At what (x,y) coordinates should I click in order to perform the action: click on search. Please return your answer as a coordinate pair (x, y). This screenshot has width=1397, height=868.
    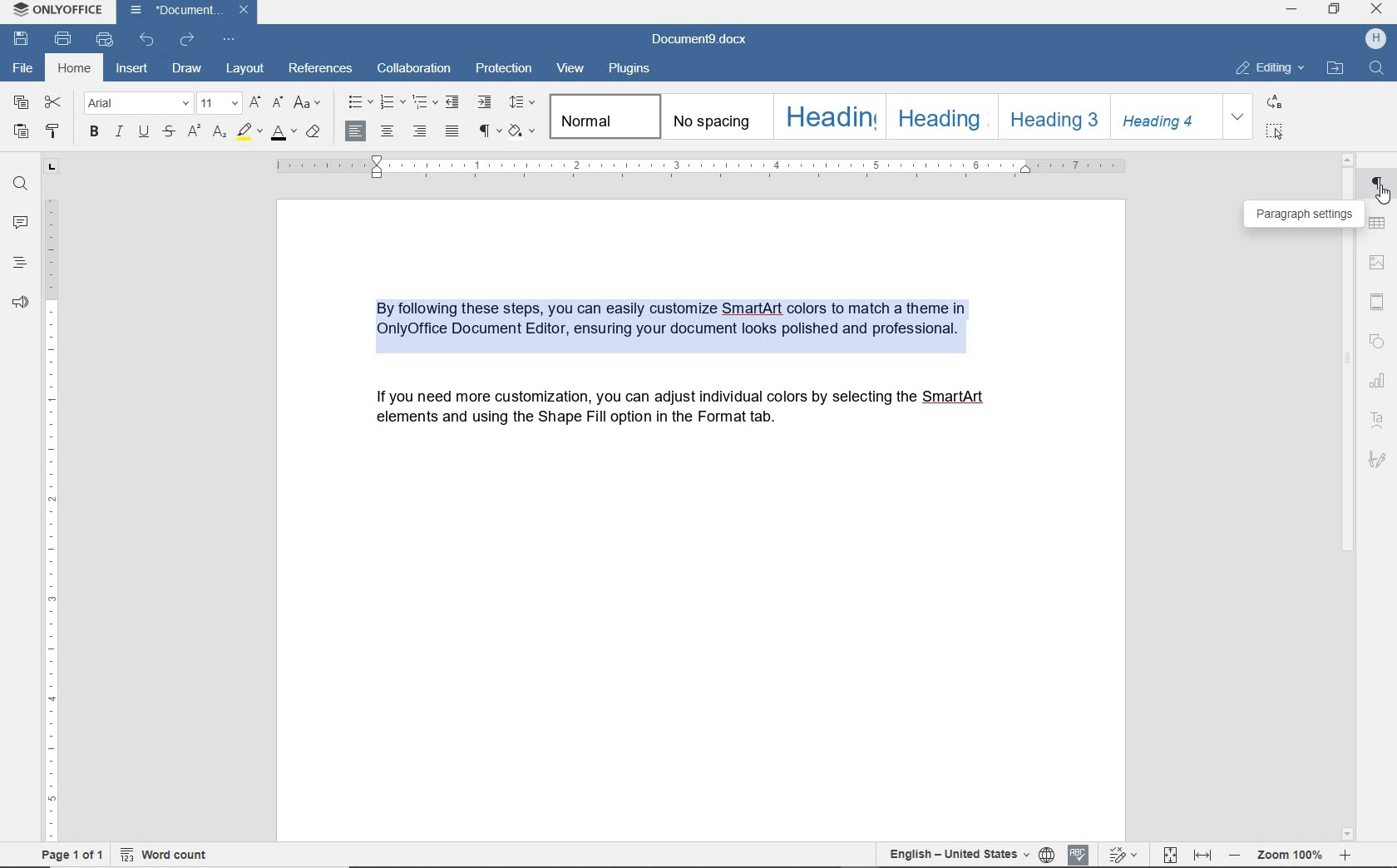
    Looking at the image, I should click on (1377, 67).